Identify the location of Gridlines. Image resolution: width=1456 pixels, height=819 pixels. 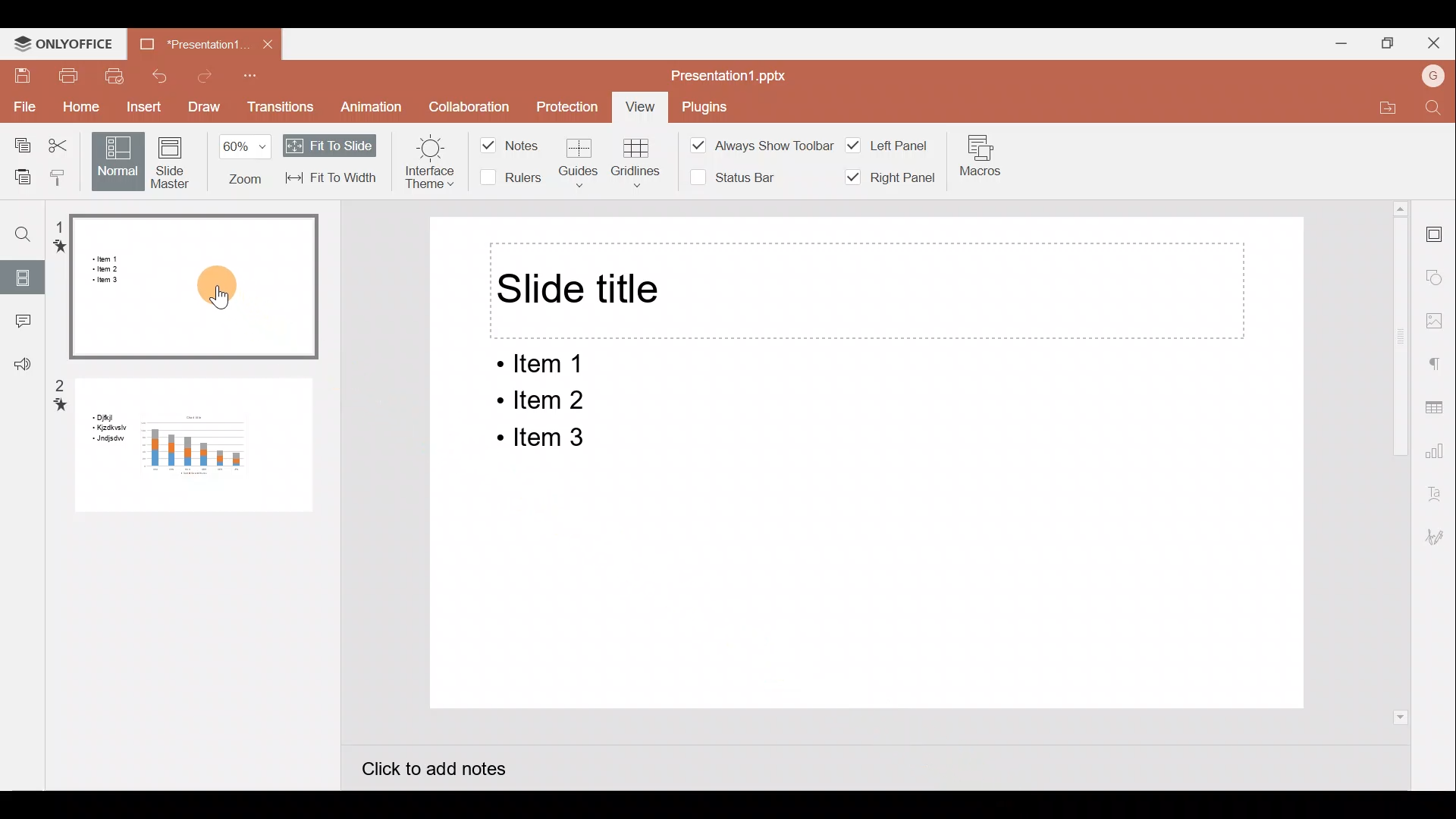
(639, 159).